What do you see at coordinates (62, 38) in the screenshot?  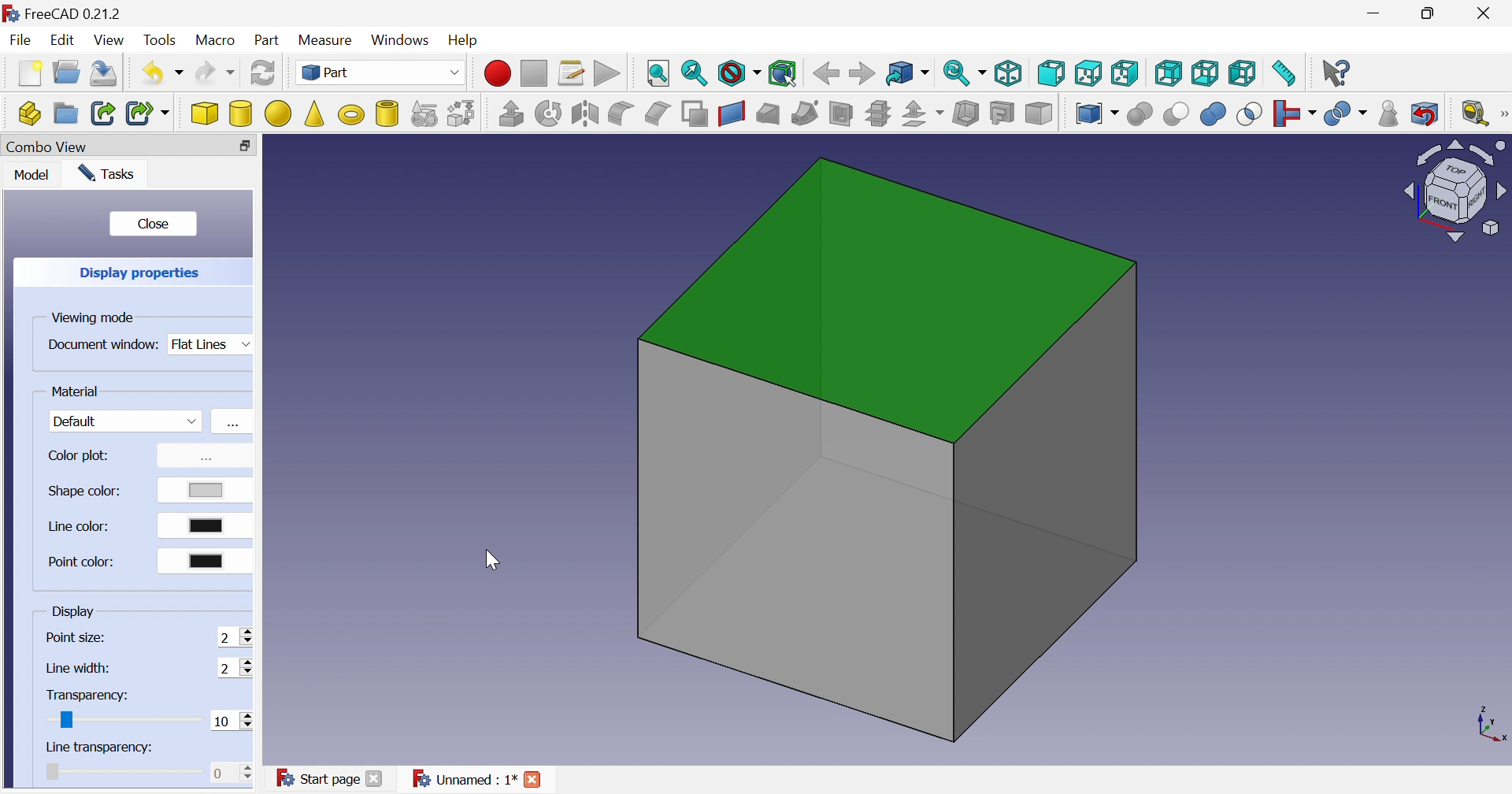 I see `Edit` at bounding box center [62, 38].